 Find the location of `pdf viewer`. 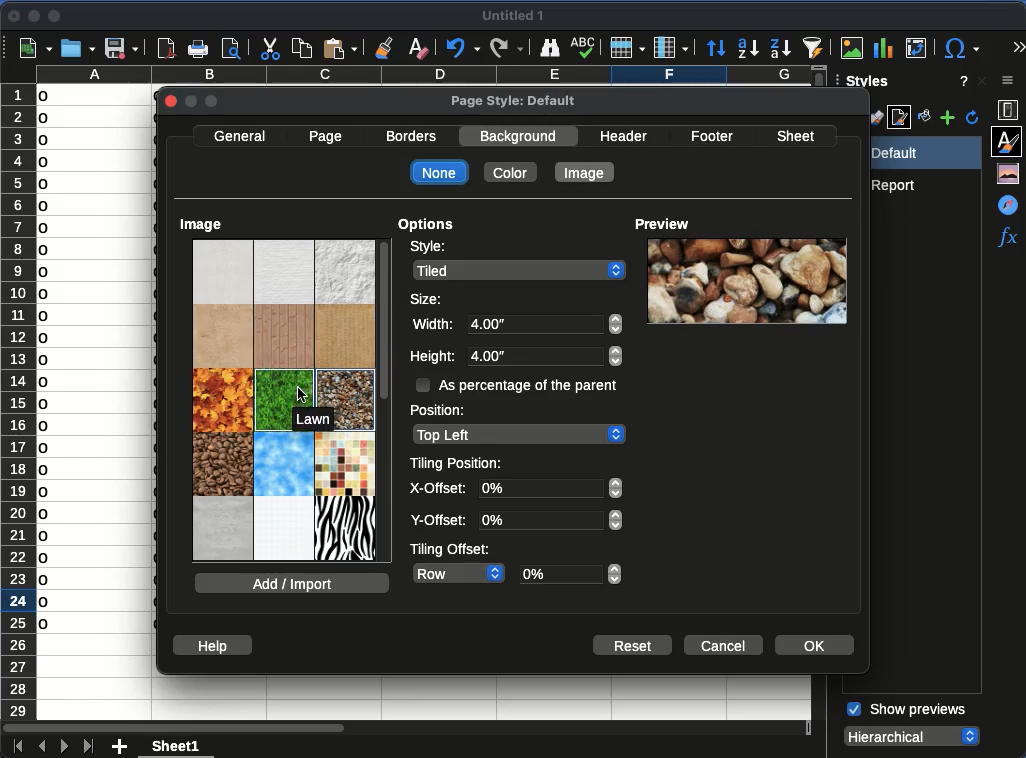

pdf viewer is located at coordinates (166, 48).